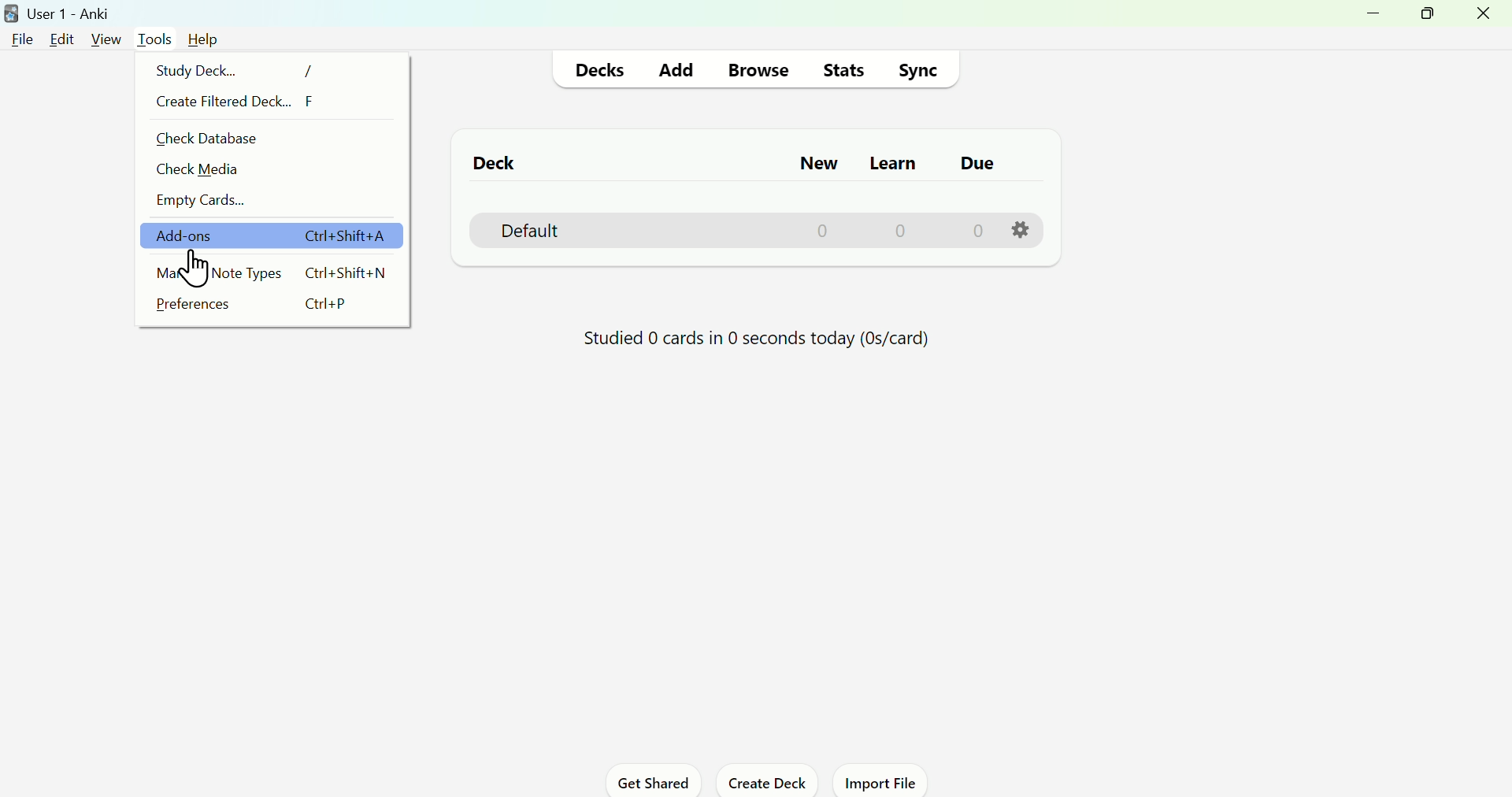  I want to click on Maximize, so click(1434, 19).